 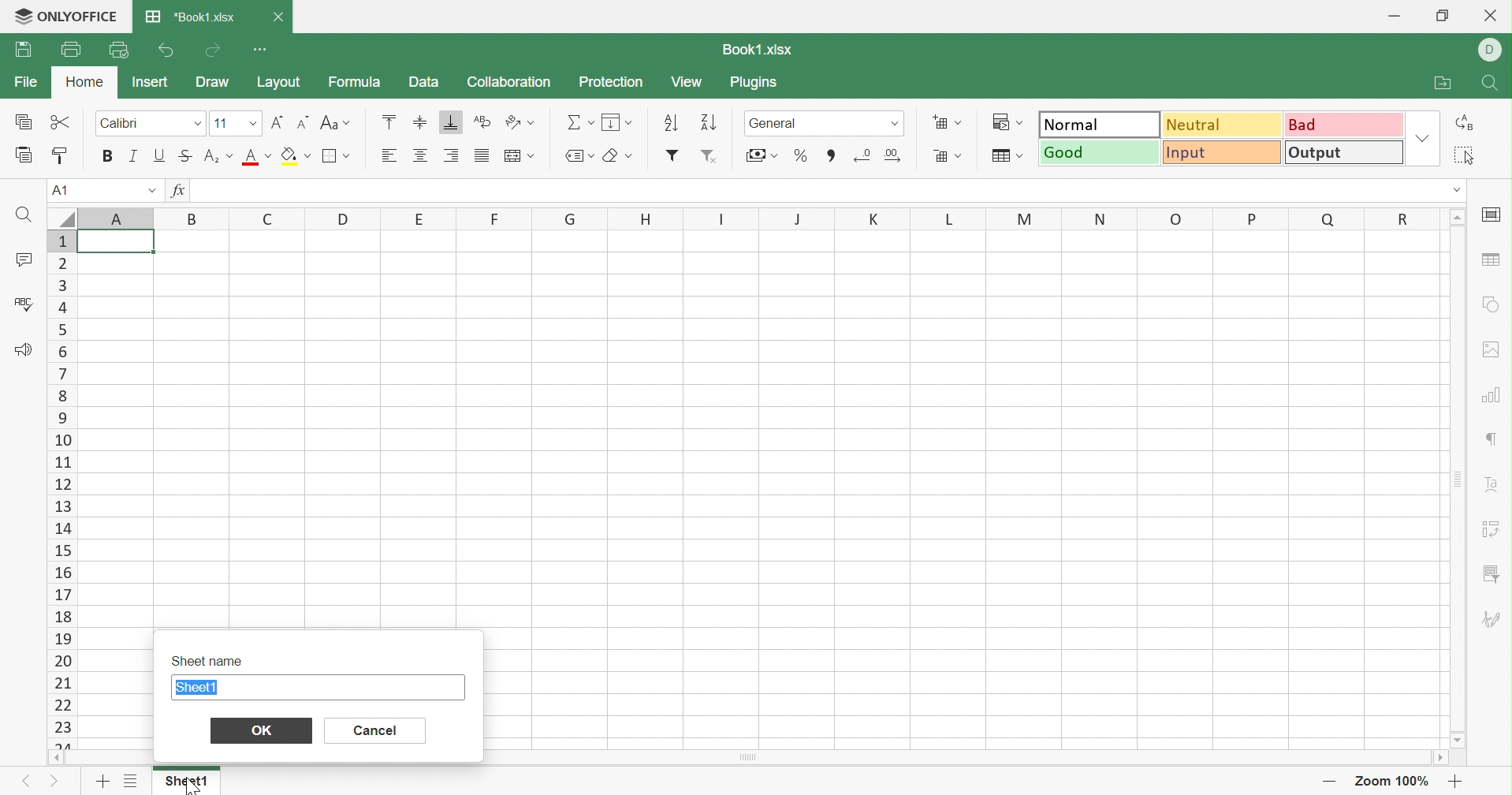 What do you see at coordinates (1101, 152) in the screenshot?
I see `Good` at bounding box center [1101, 152].